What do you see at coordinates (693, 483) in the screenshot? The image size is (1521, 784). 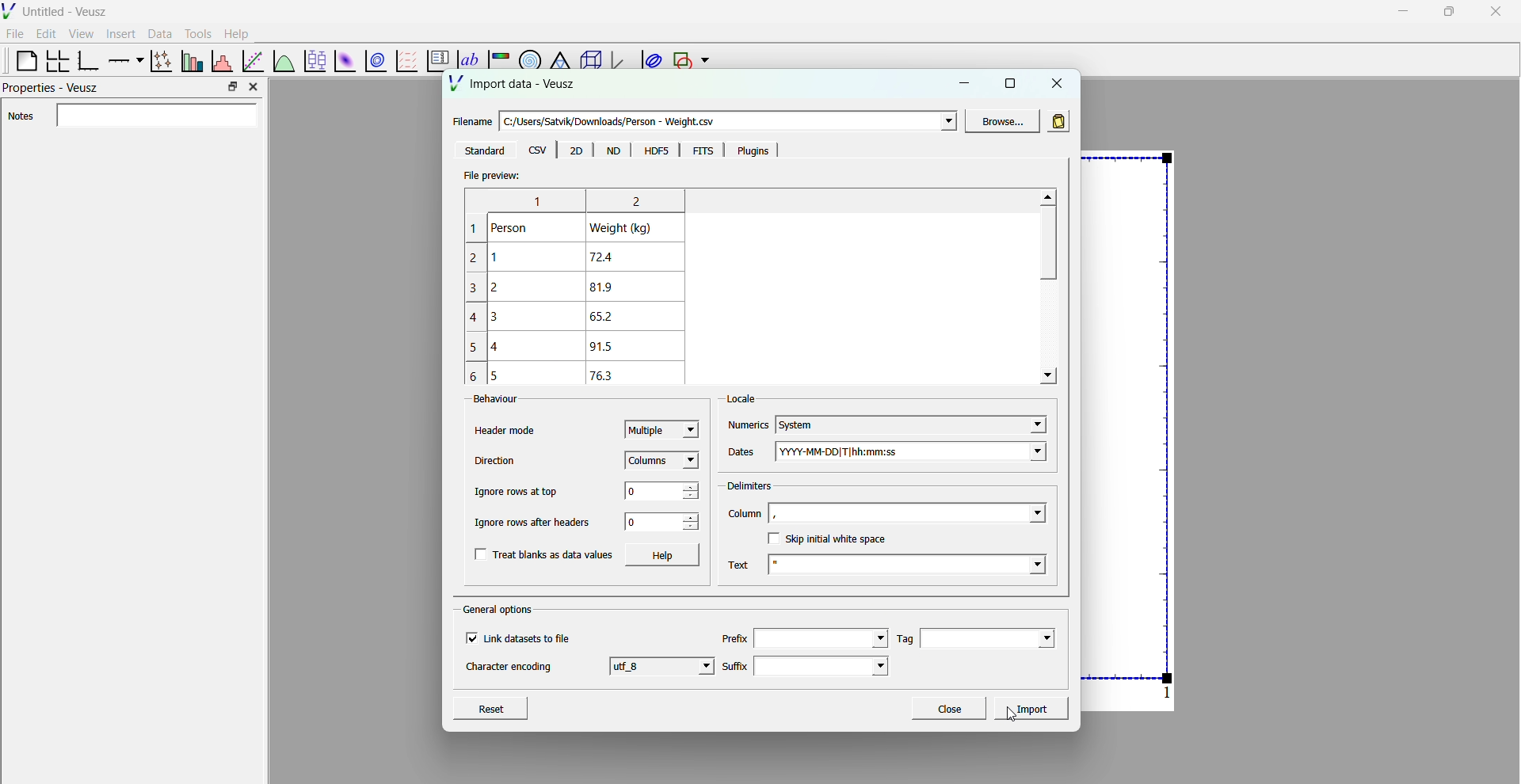 I see `increase value` at bounding box center [693, 483].